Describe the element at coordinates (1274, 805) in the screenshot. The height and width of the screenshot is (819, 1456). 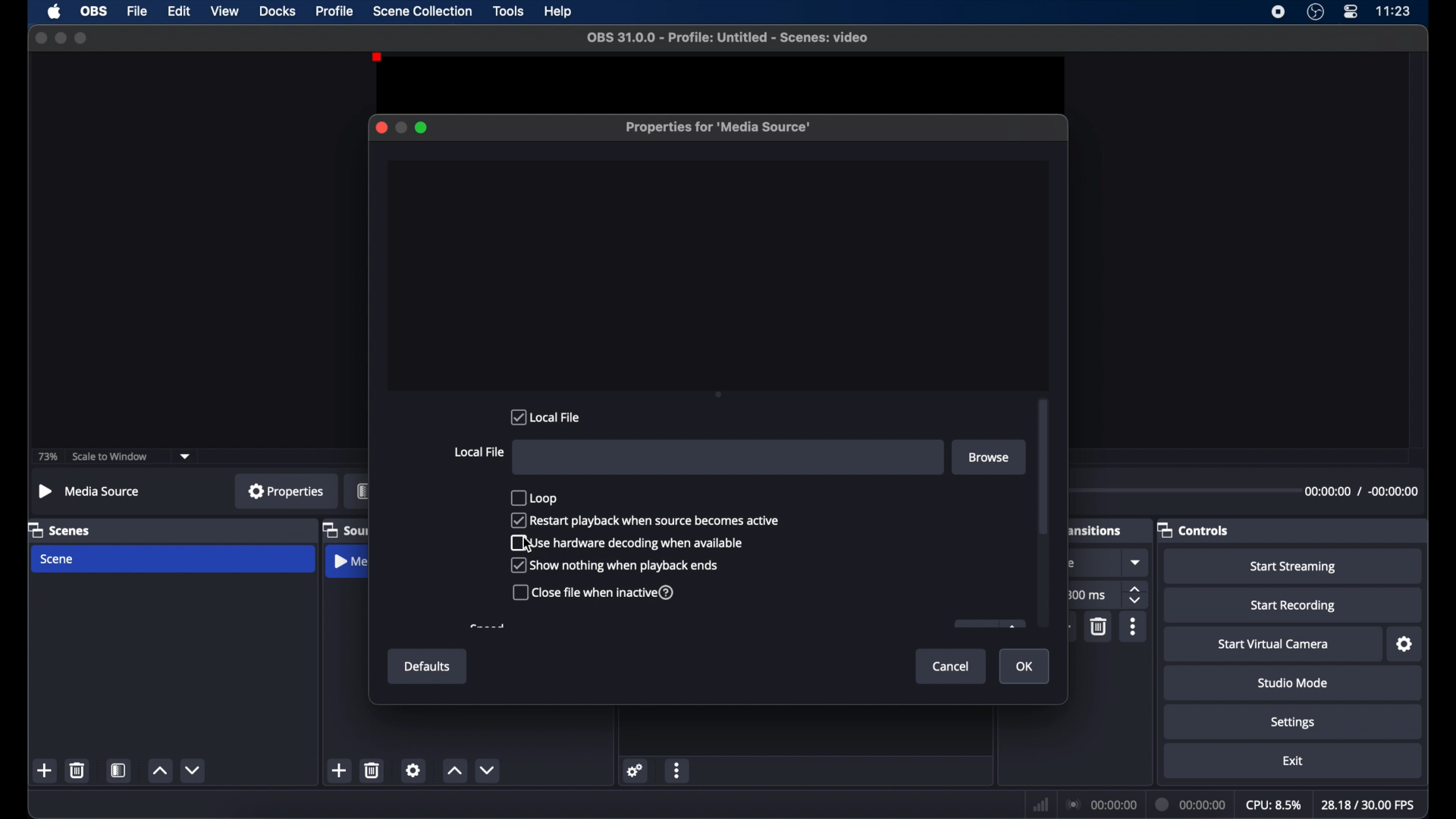
I see `cpu` at that location.